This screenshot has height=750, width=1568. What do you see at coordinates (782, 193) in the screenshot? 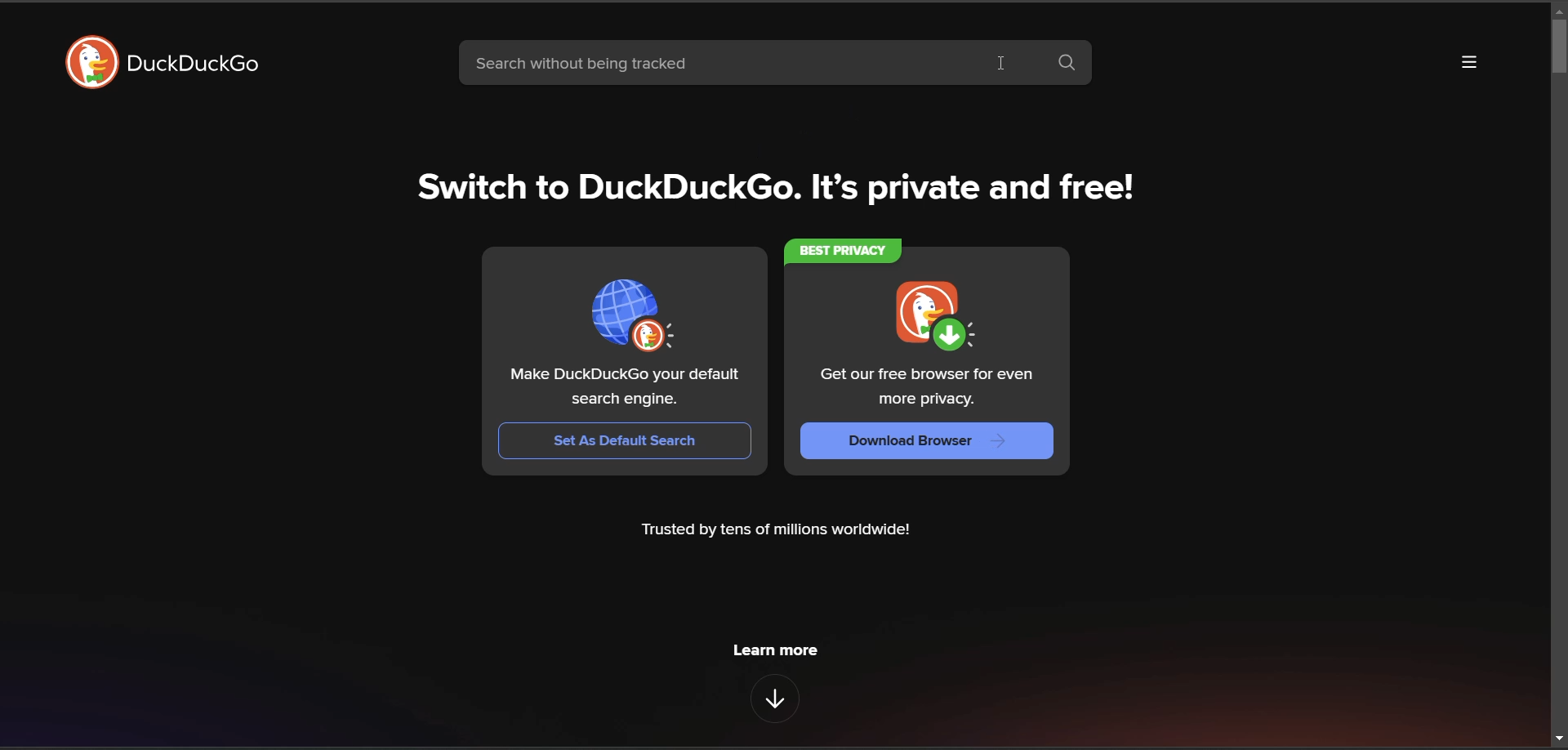
I see `tag line` at bounding box center [782, 193].